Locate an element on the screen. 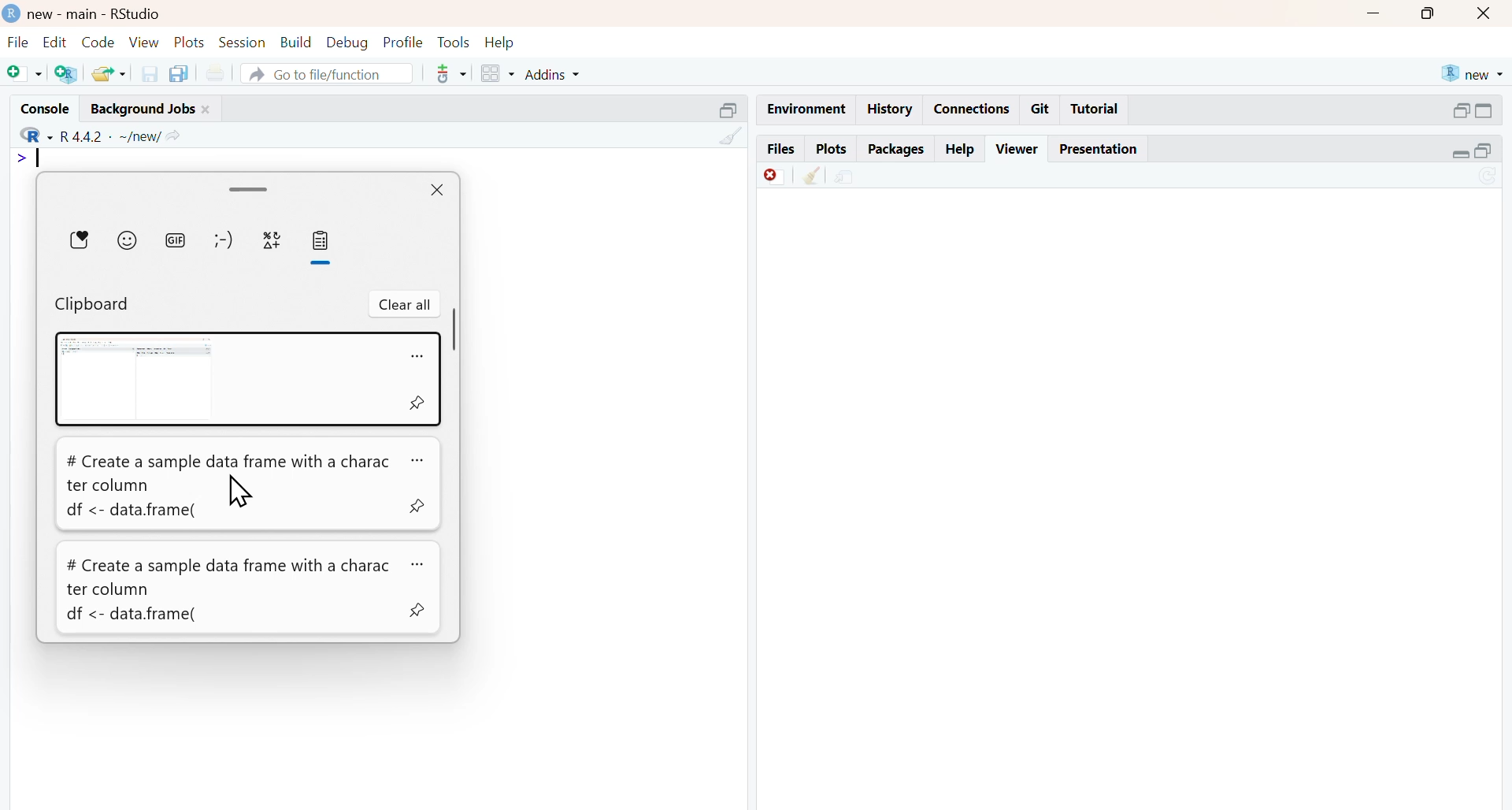 The width and height of the screenshot is (1512, 810). R is located at coordinates (36, 135).